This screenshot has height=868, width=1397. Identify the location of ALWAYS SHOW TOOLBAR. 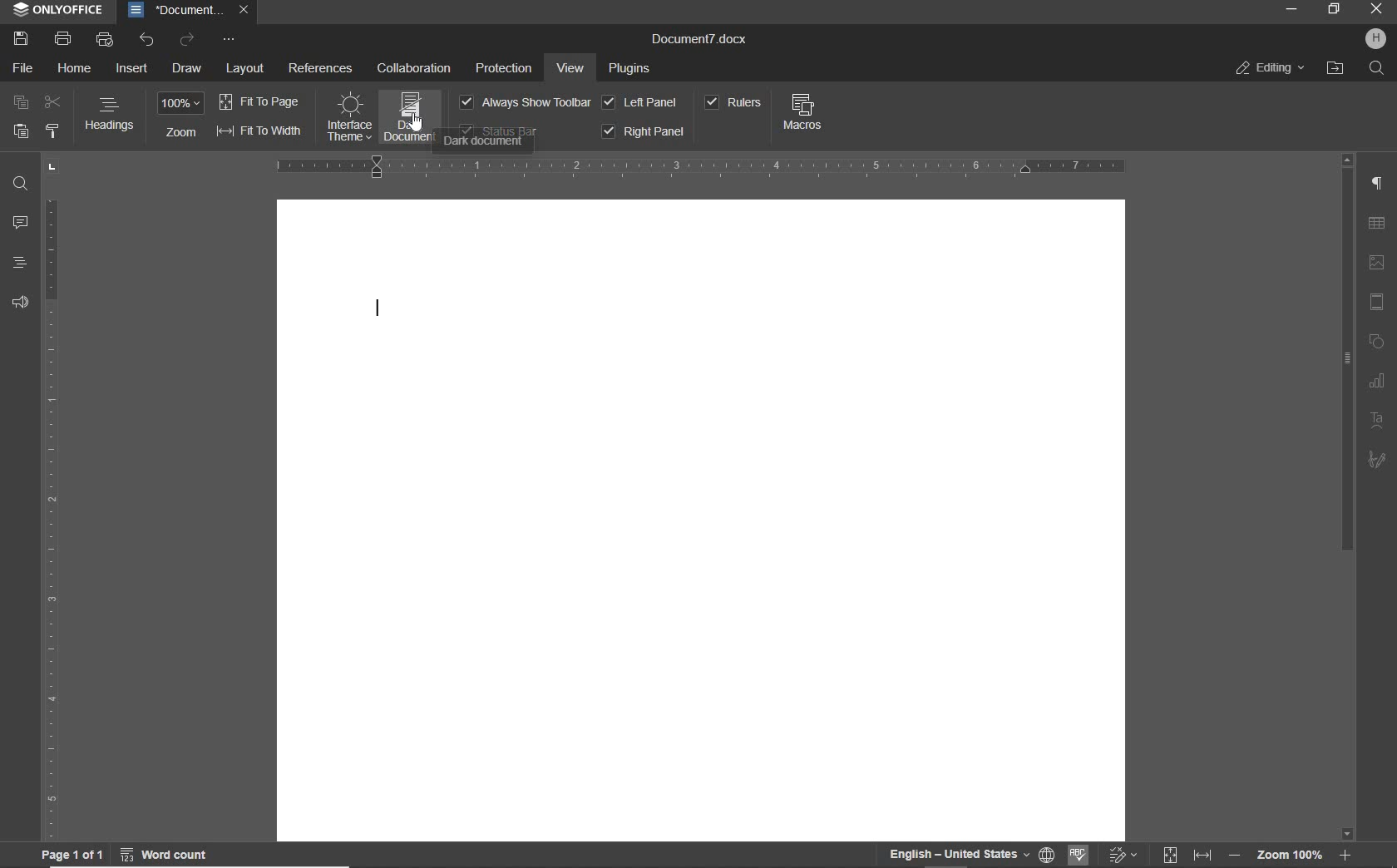
(526, 104).